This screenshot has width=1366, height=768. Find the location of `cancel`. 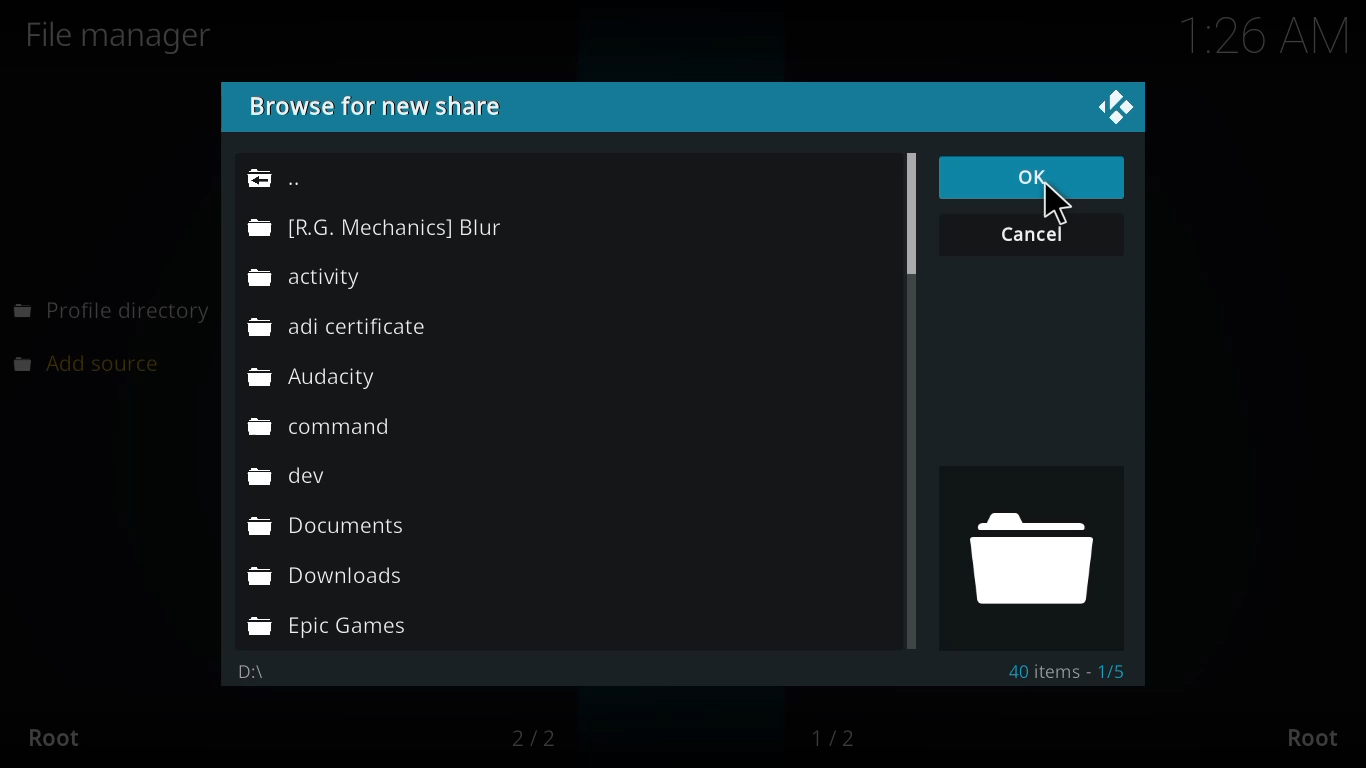

cancel is located at coordinates (1033, 235).